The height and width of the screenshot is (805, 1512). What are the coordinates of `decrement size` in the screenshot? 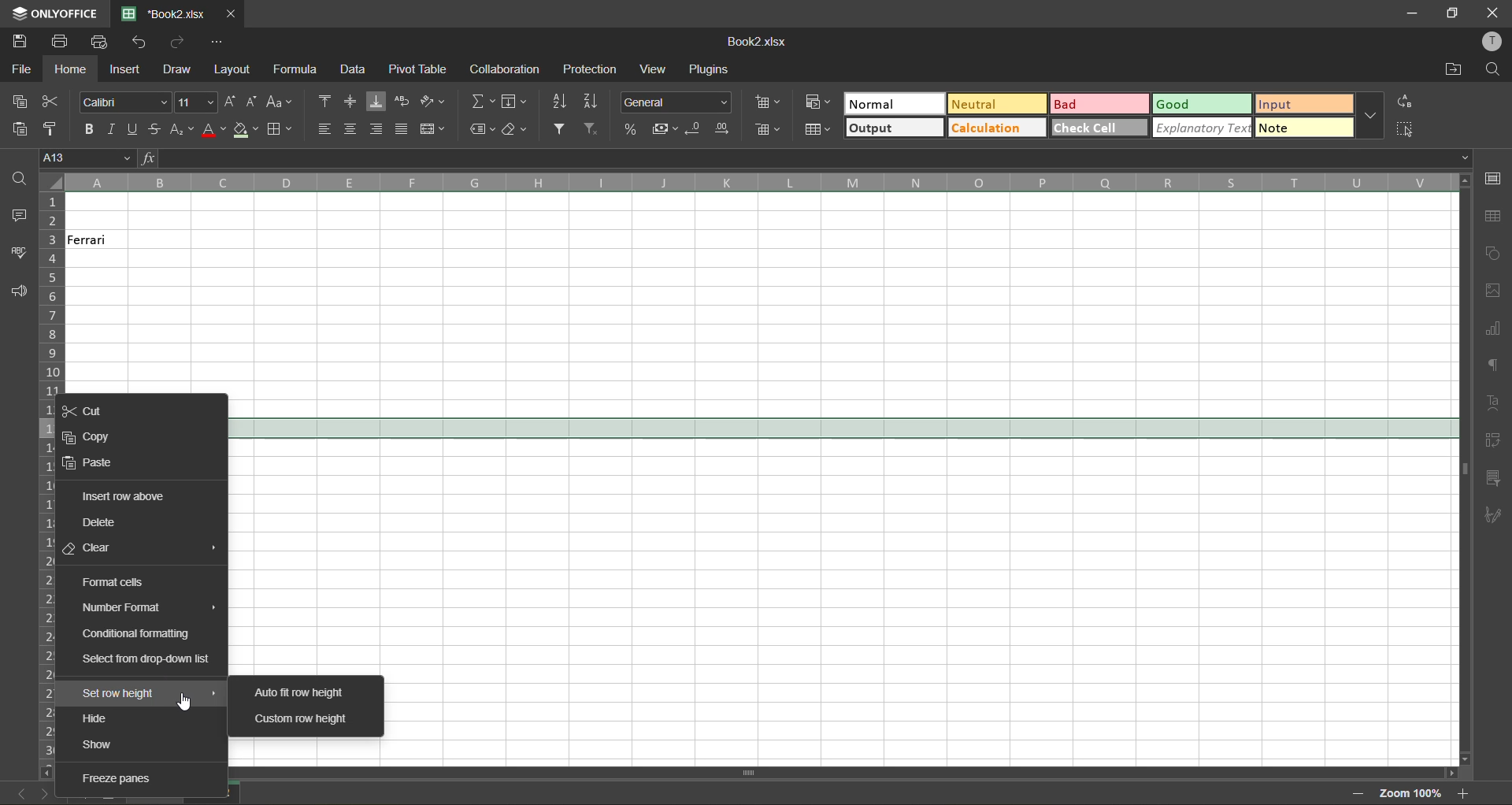 It's located at (253, 102).